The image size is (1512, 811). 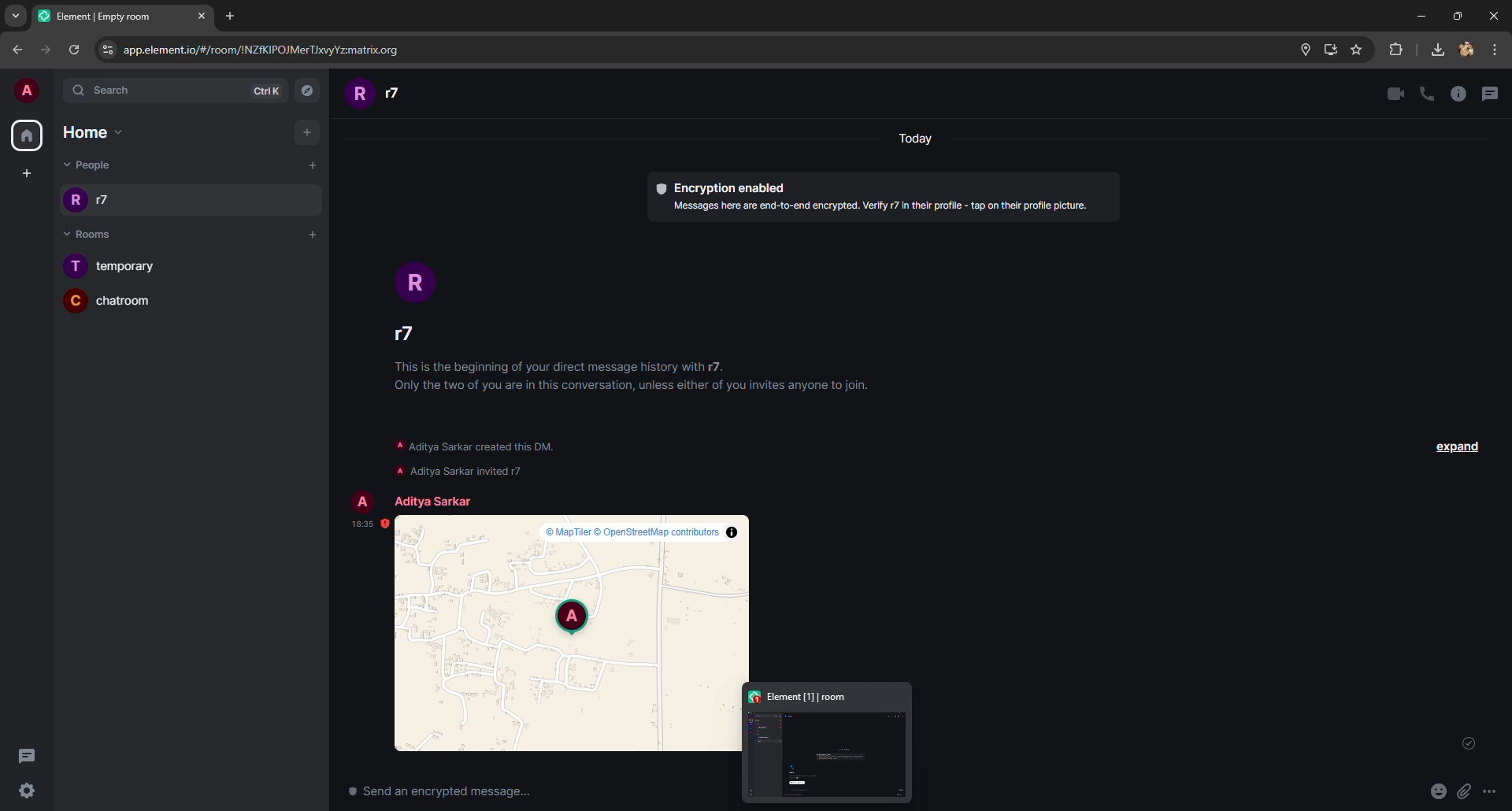 I want to click on threads, so click(x=1492, y=94).